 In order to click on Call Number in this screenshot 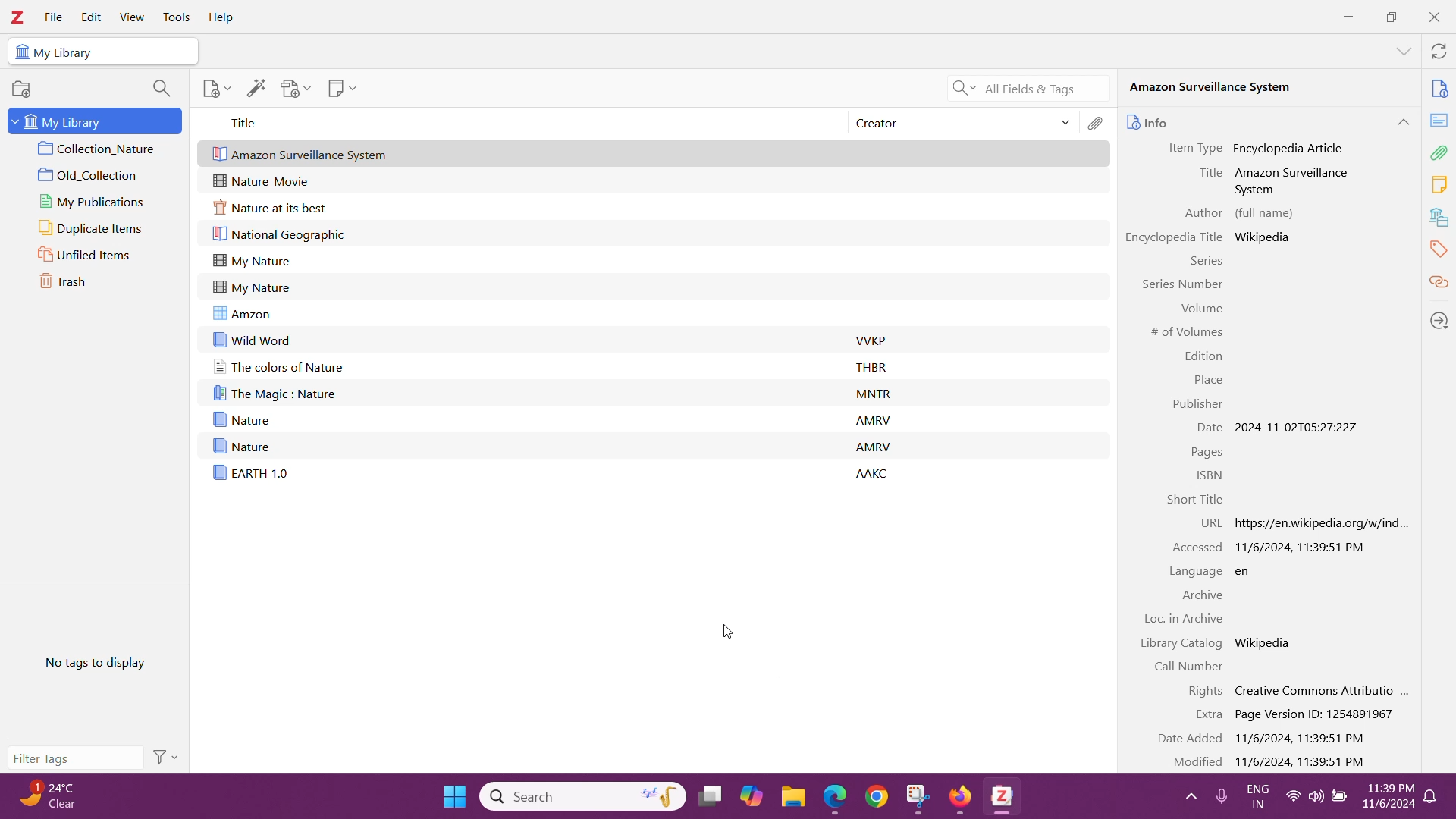, I will do `click(1187, 667)`.